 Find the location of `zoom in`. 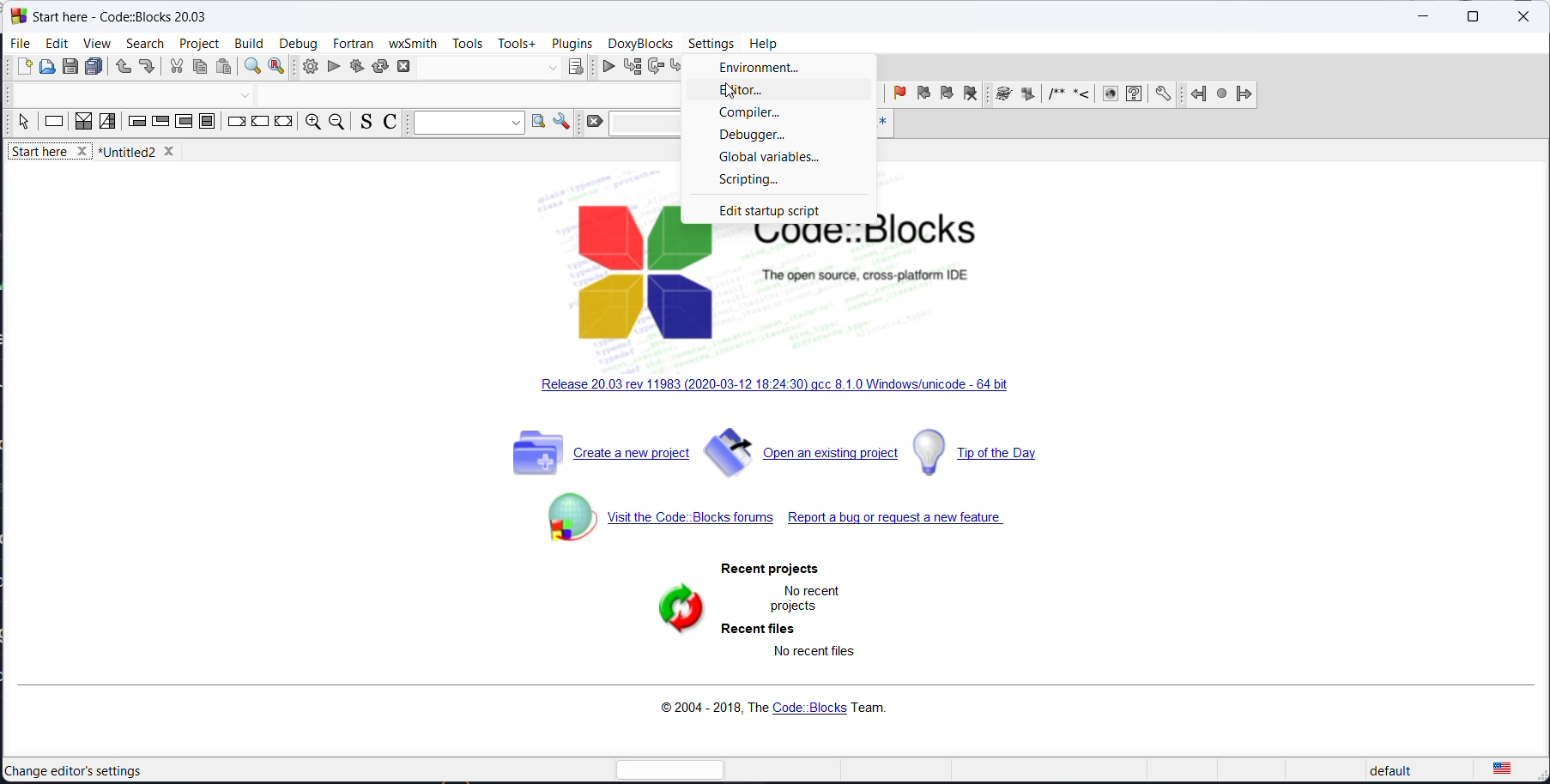

zoom in is located at coordinates (311, 124).